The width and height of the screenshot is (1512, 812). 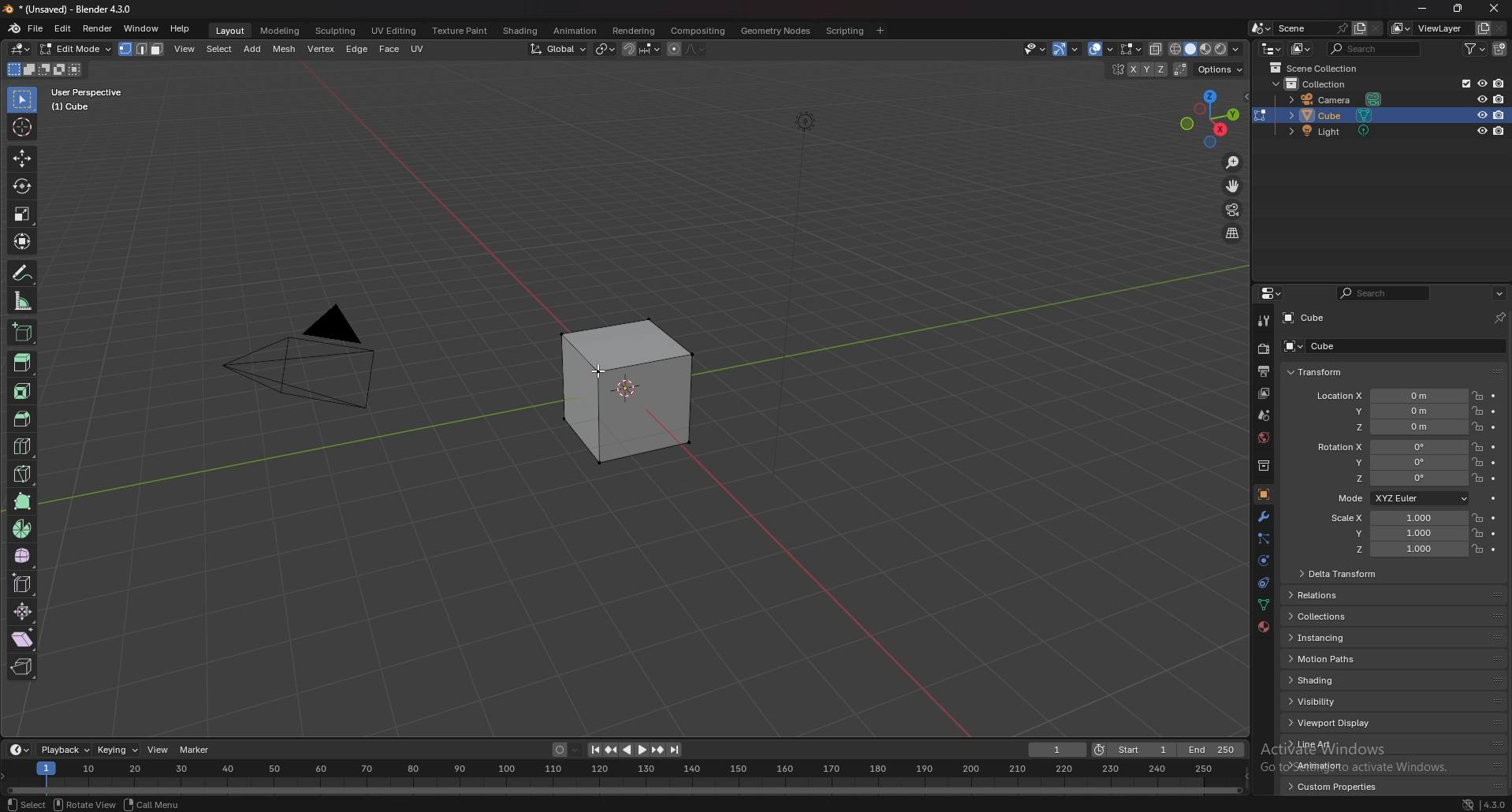 What do you see at coordinates (687, 49) in the screenshot?
I see `proportional editing objcets` at bounding box center [687, 49].